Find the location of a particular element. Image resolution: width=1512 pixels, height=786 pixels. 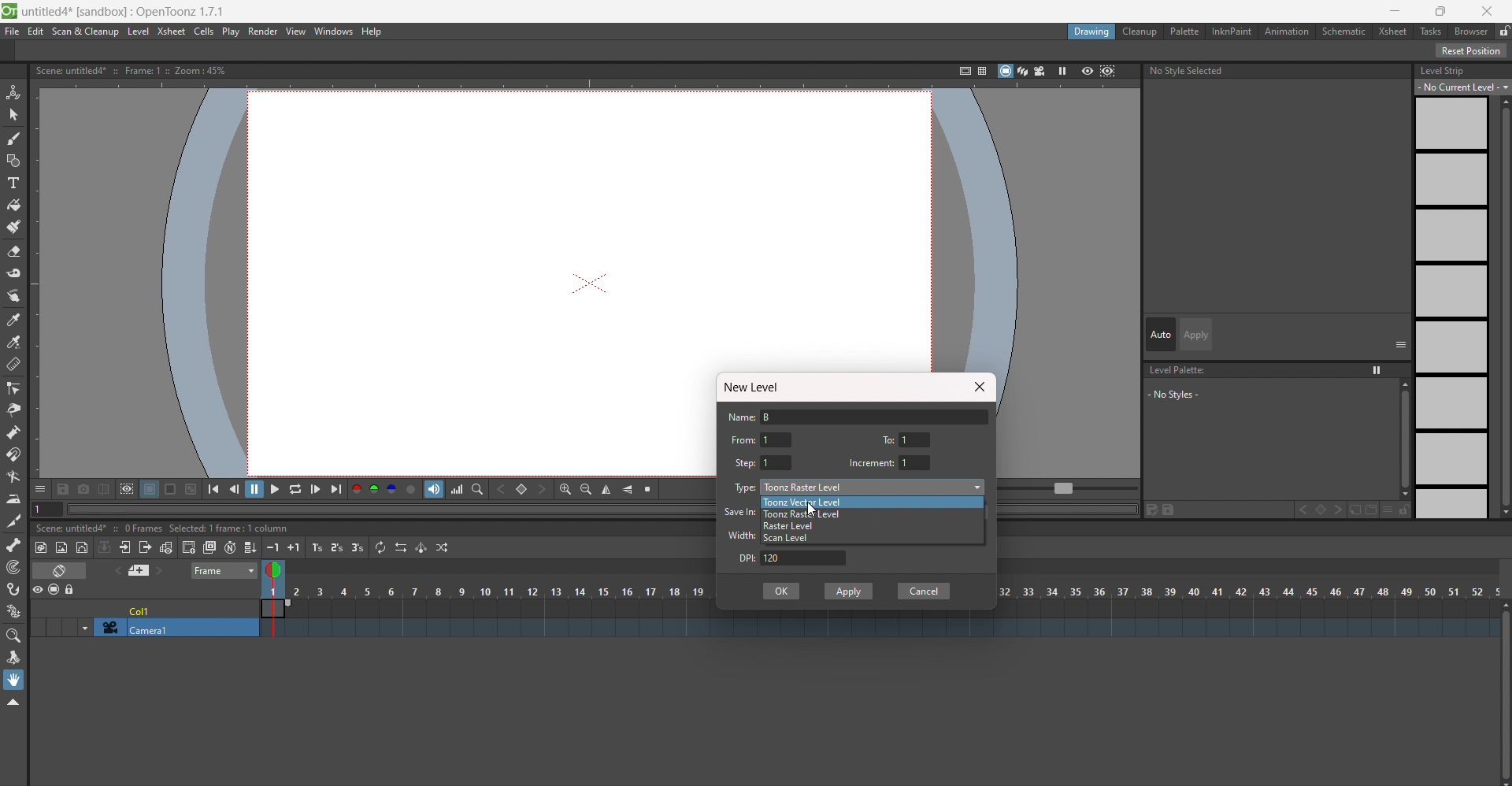

first  frame is located at coordinates (218, 488).